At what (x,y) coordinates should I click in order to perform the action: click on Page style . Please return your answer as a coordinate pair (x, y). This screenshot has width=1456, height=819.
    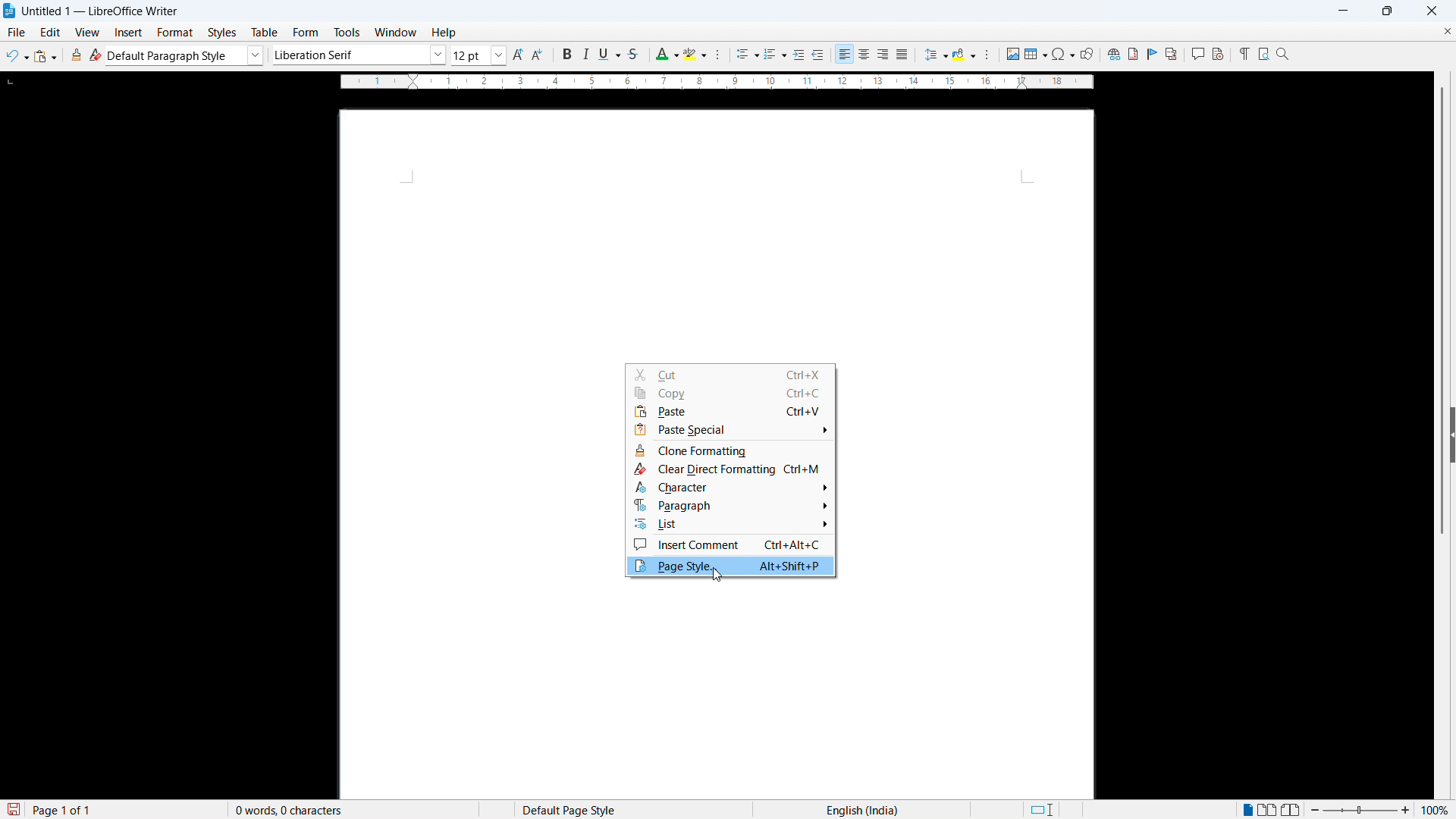
    Looking at the image, I should click on (730, 566).